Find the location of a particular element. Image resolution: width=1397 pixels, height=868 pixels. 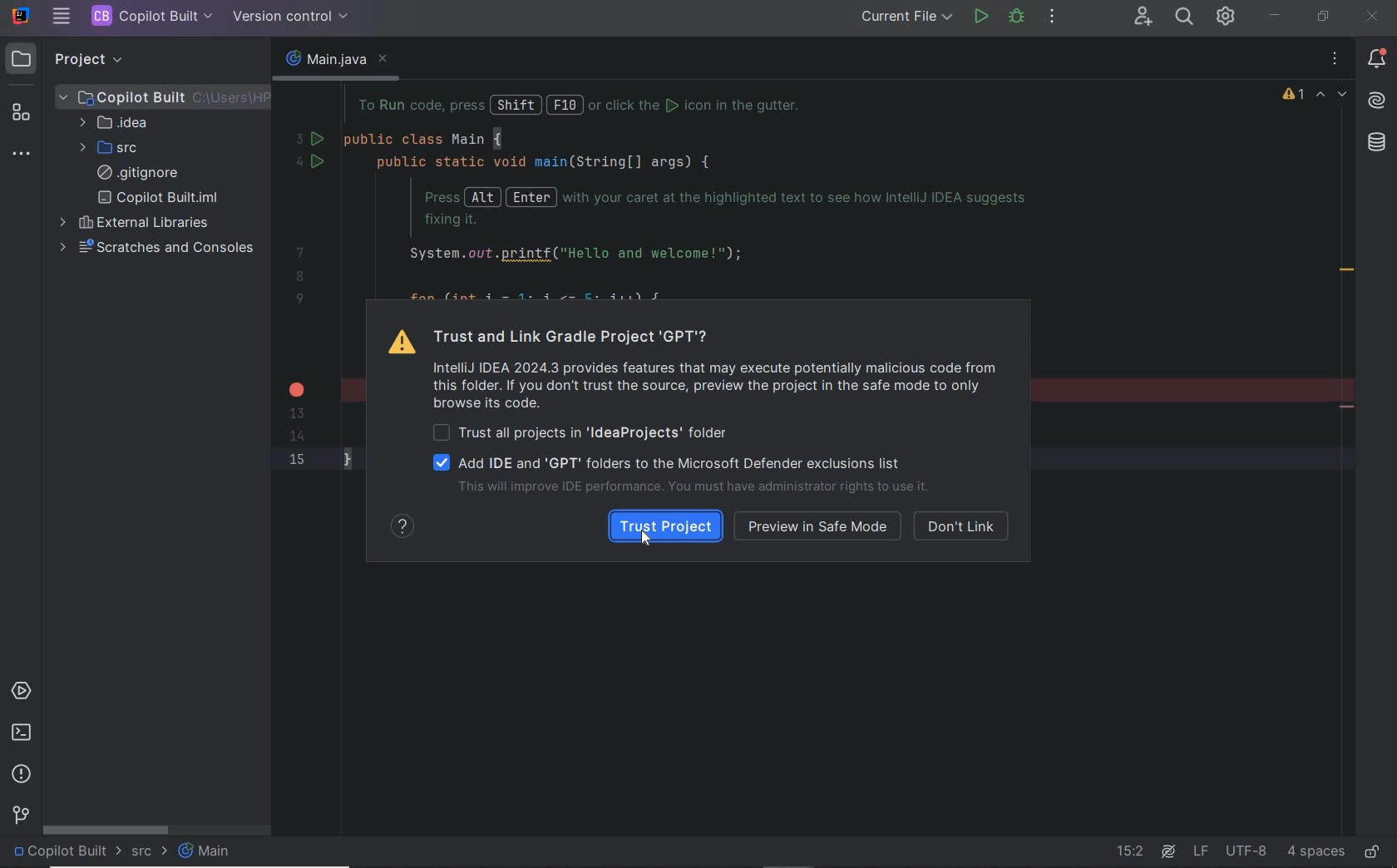

cursor is located at coordinates (646, 538).